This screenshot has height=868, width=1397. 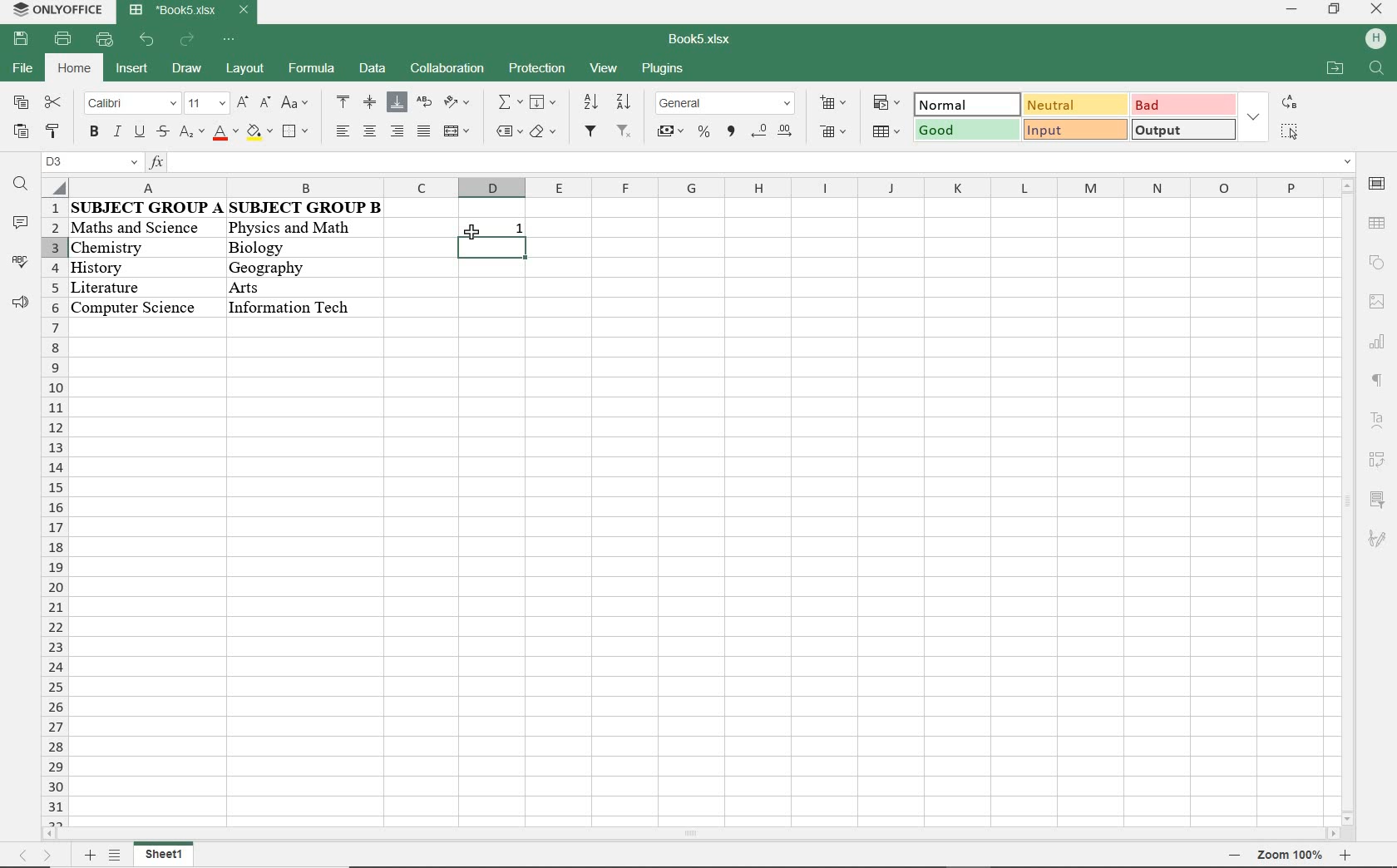 What do you see at coordinates (61, 40) in the screenshot?
I see `print` at bounding box center [61, 40].